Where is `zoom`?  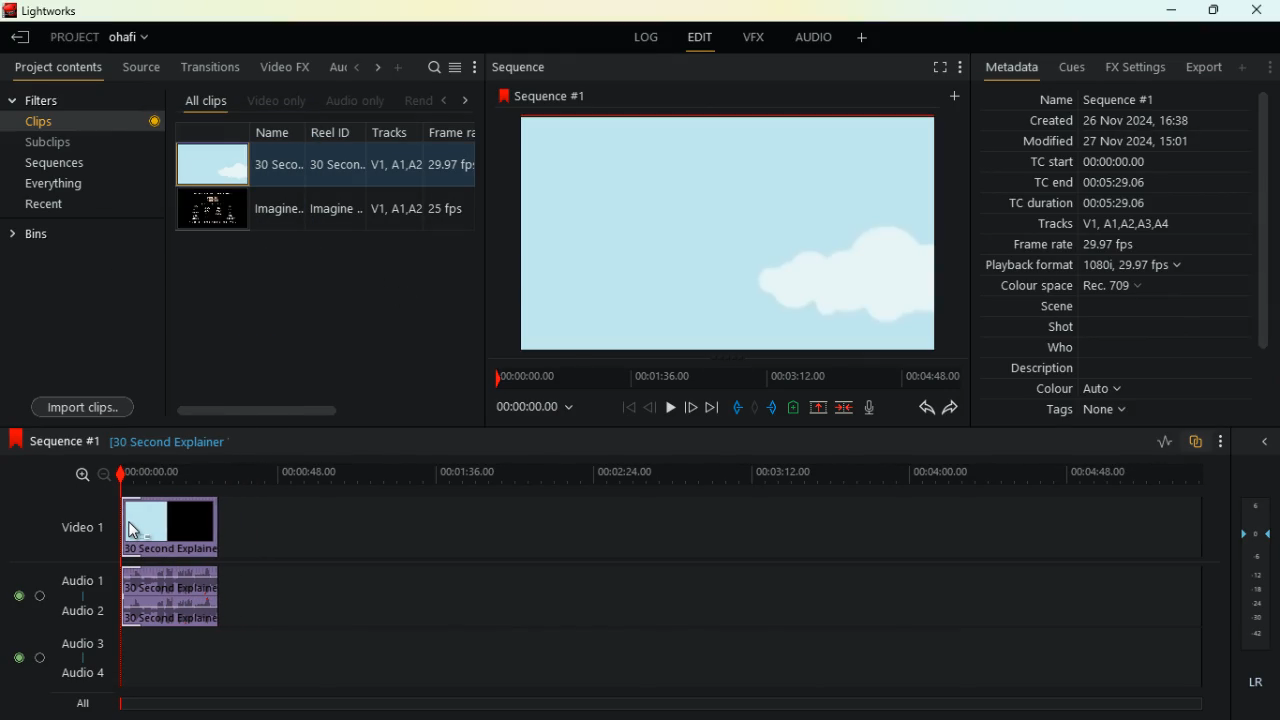
zoom is located at coordinates (83, 476).